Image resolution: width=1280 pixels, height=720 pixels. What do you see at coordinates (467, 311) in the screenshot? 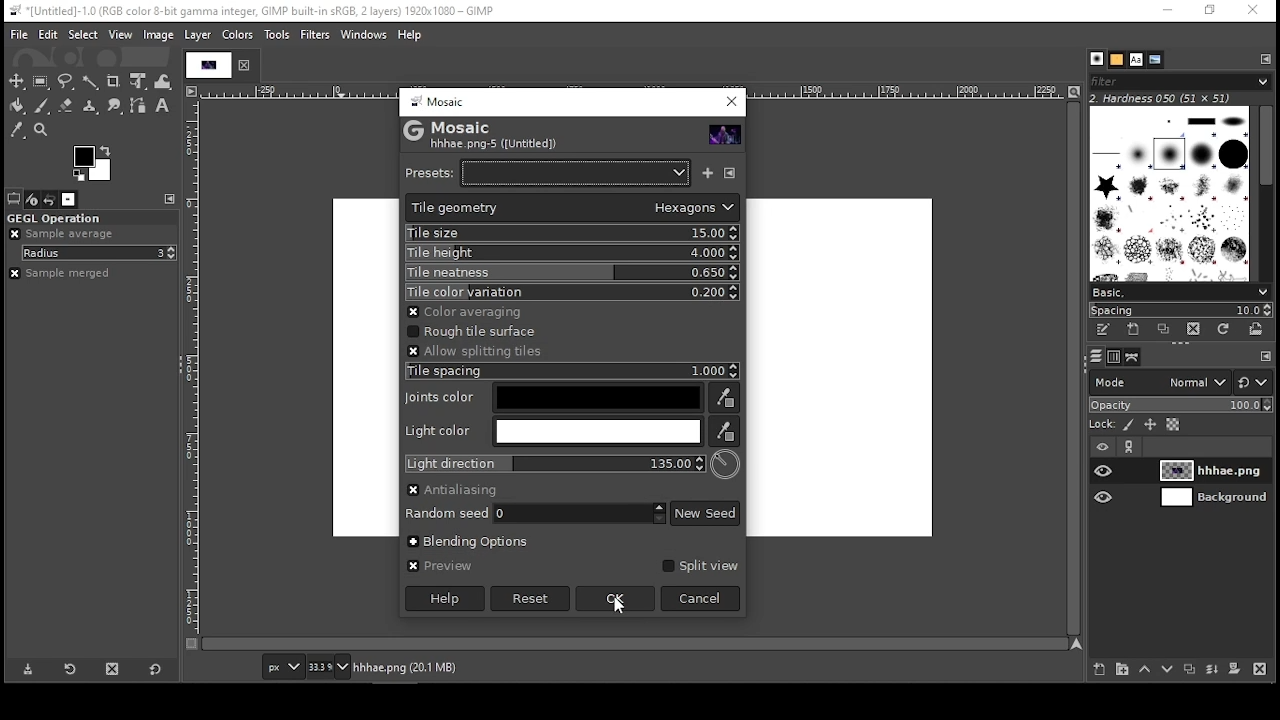
I see `allow splitting tiles` at bounding box center [467, 311].